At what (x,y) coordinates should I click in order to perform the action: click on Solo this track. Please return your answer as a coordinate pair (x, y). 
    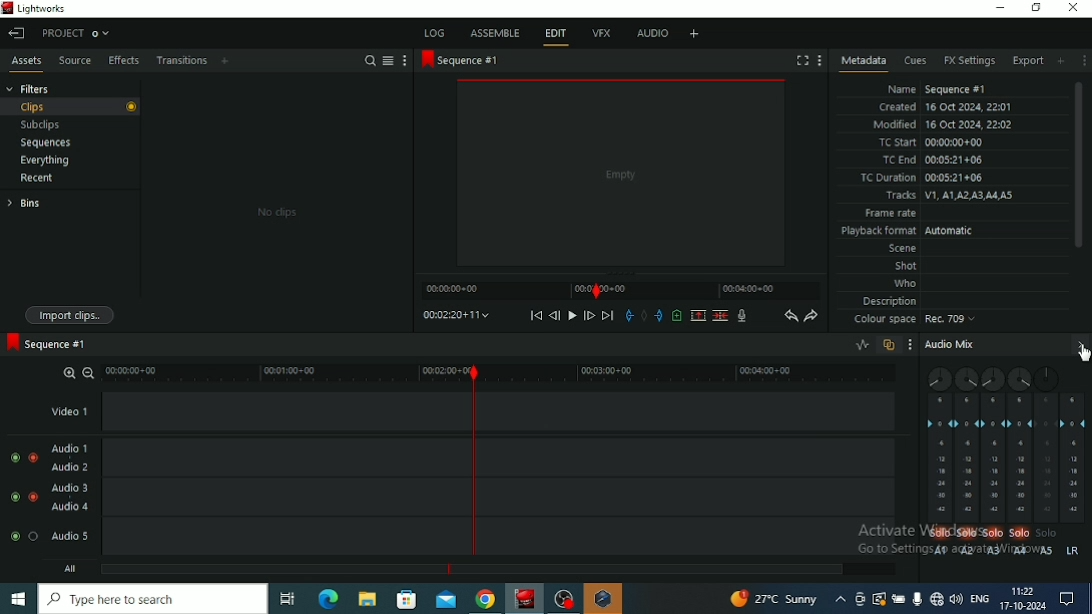
    Looking at the image, I should click on (967, 534).